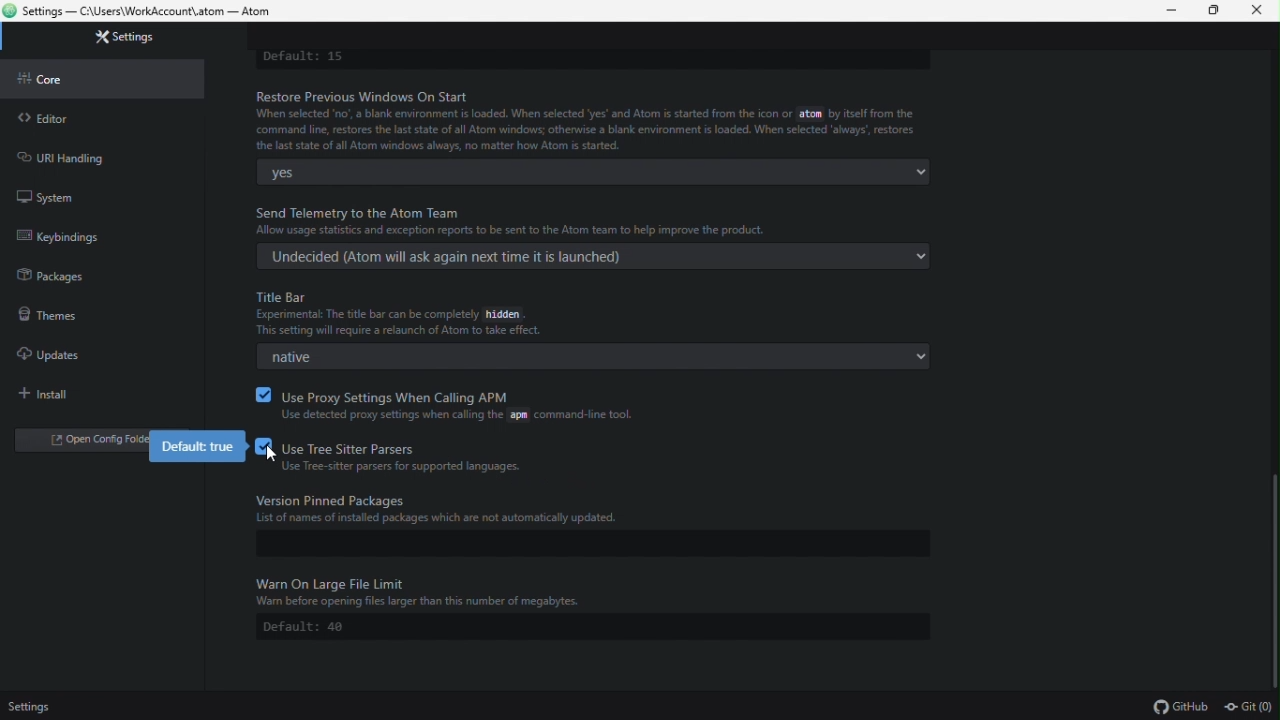 This screenshot has width=1280, height=720. Describe the element at coordinates (53, 276) in the screenshot. I see `packages` at that location.